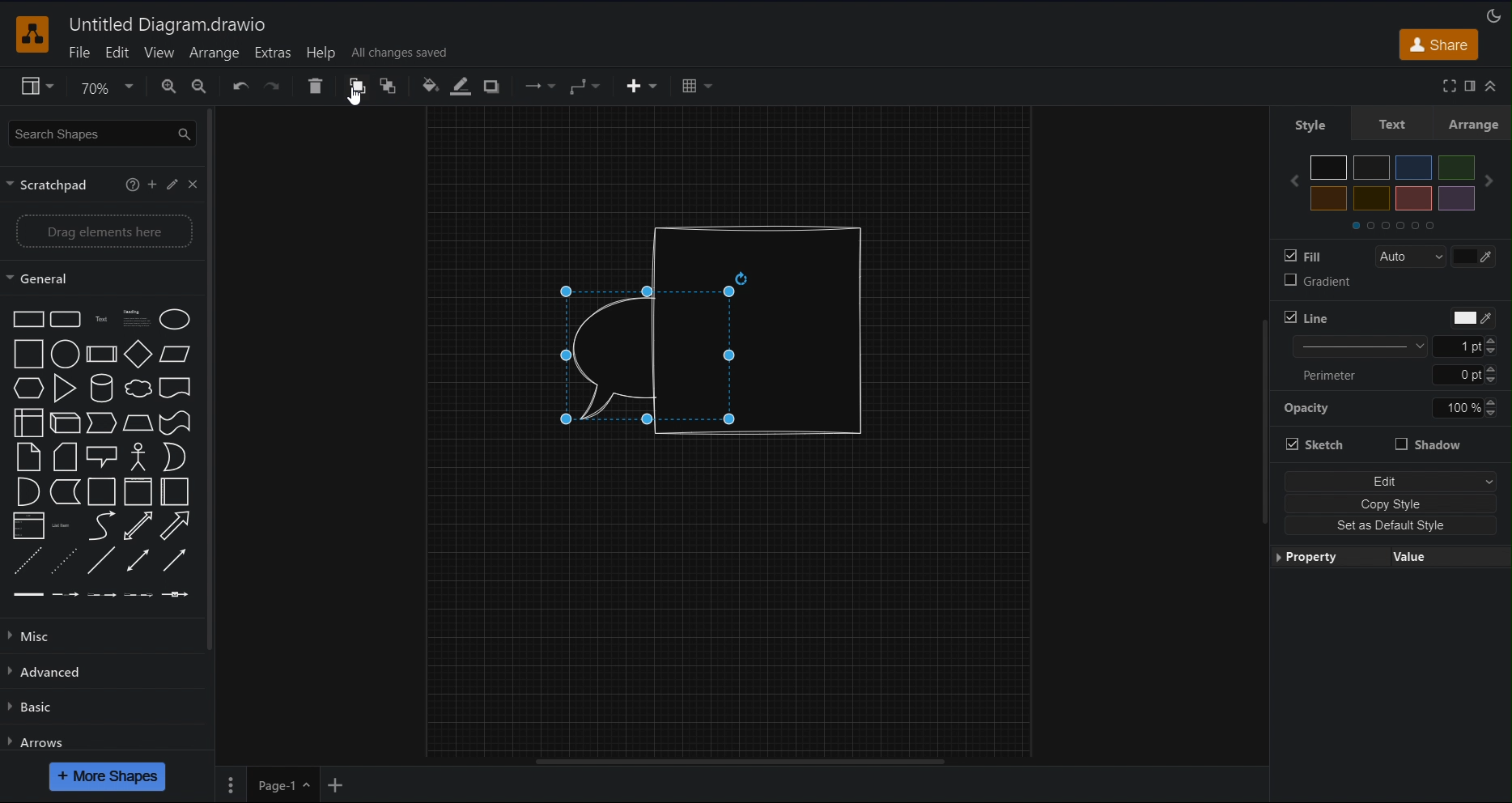 The height and width of the screenshot is (803, 1512). I want to click on Zoom, so click(105, 86).